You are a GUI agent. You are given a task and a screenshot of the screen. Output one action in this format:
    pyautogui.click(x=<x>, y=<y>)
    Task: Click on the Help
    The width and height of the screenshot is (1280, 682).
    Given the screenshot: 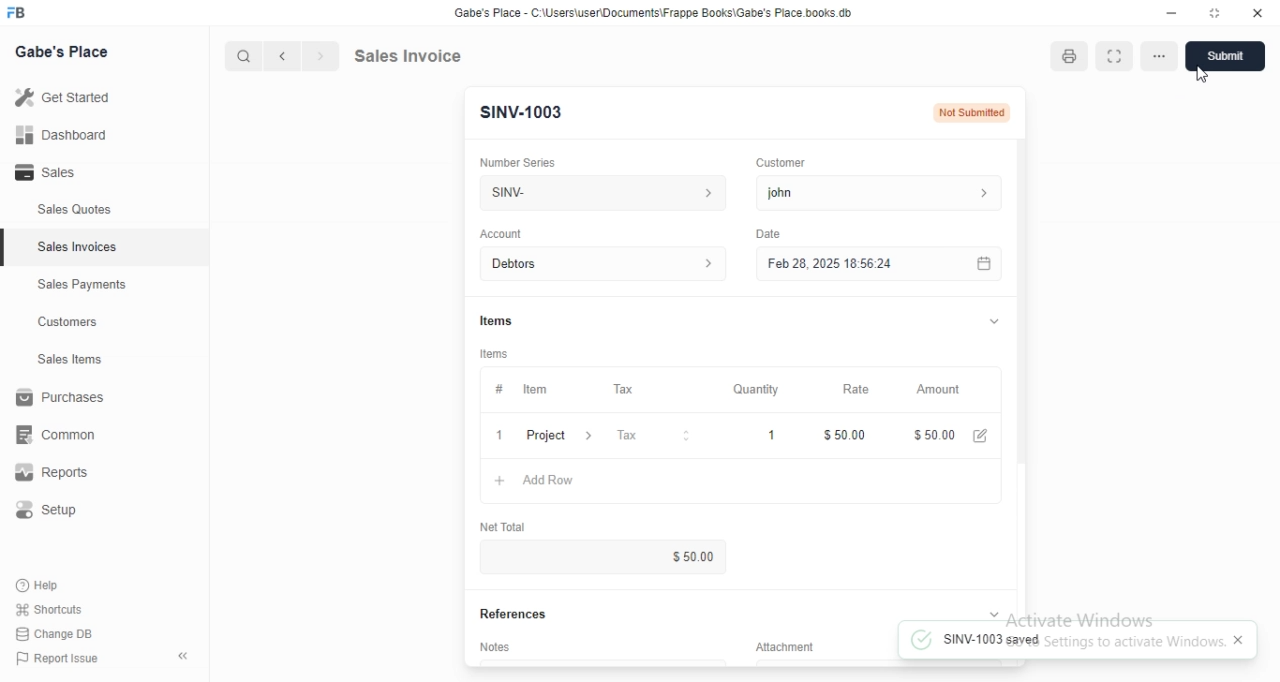 What is the action you would take?
    pyautogui.click(x=57, y=584)
    